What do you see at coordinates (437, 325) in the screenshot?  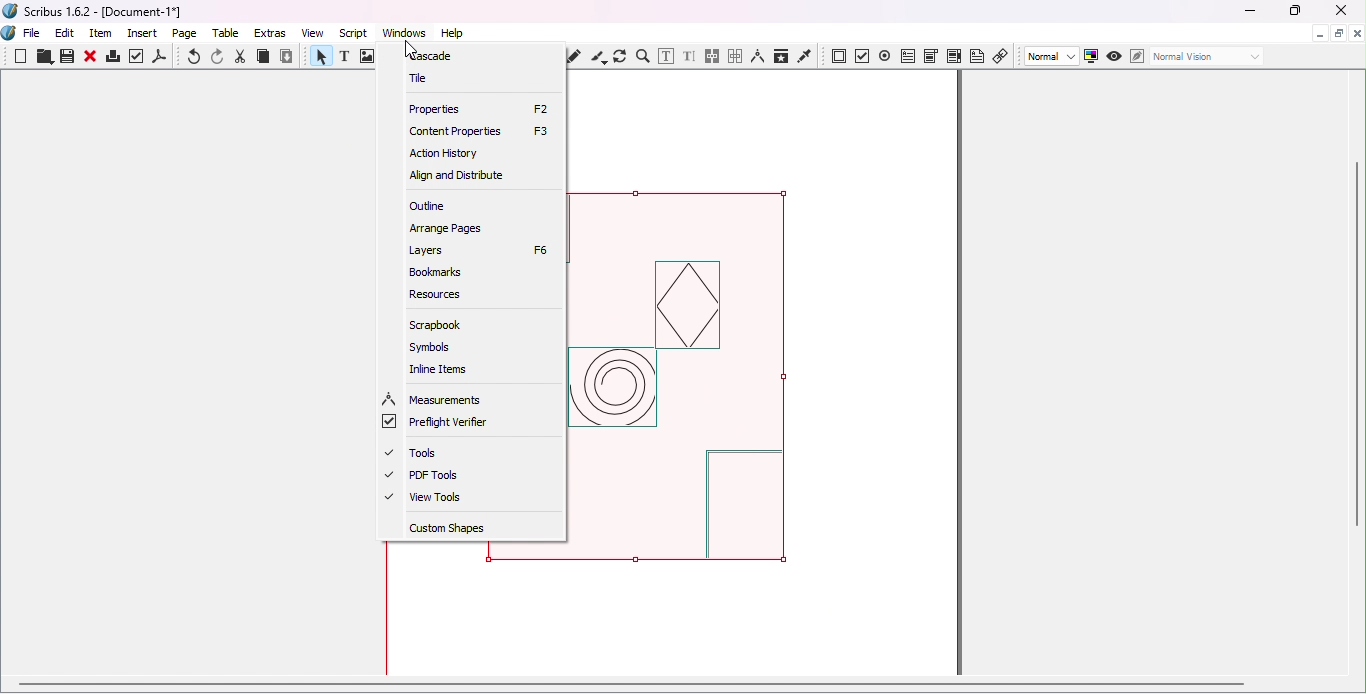 I see `Scrapbook` at bounding box center [437, 325].